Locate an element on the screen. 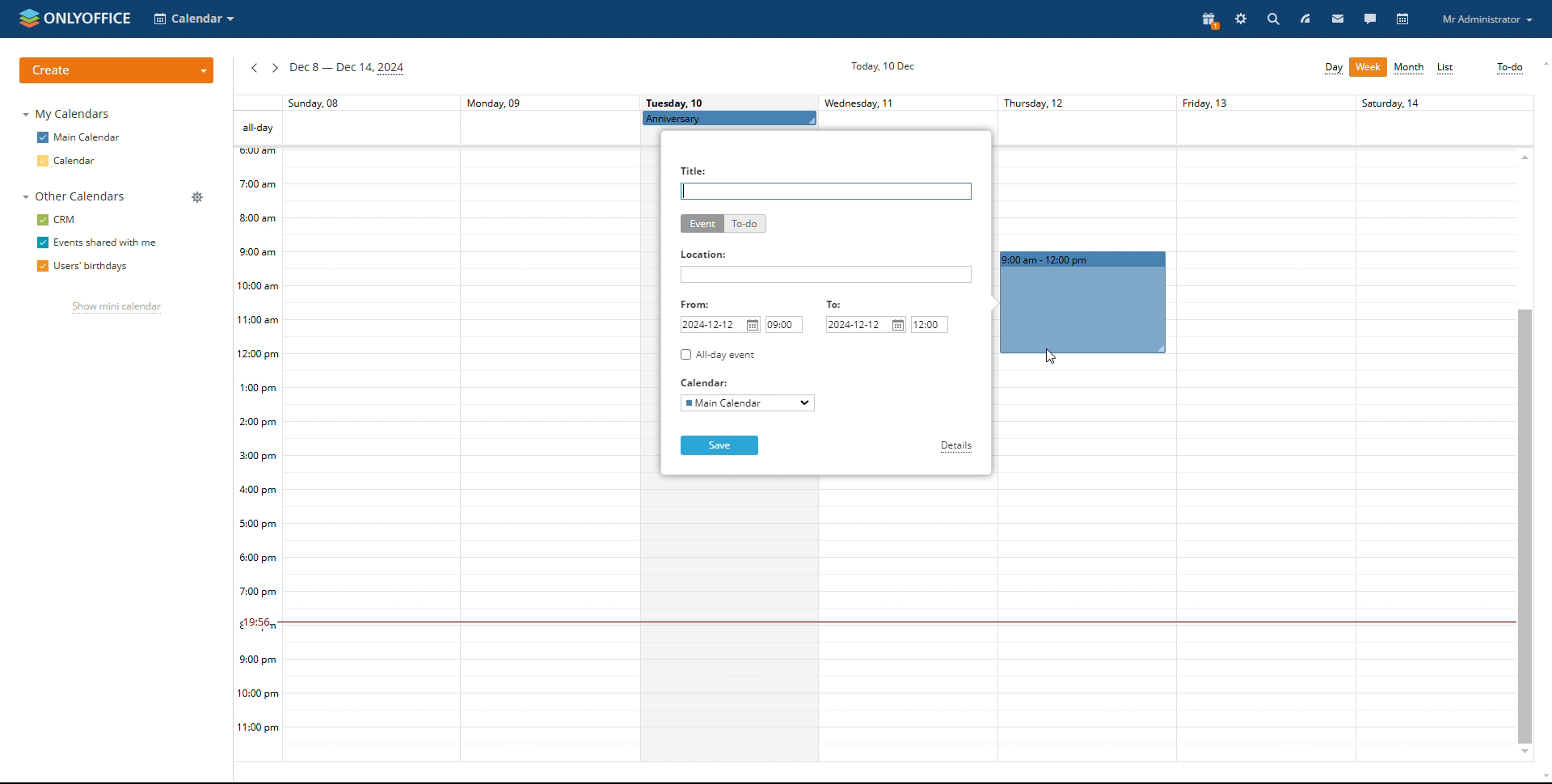 This screenshot has width=1552, height=784. talk is located at coordinates (1371, 19).